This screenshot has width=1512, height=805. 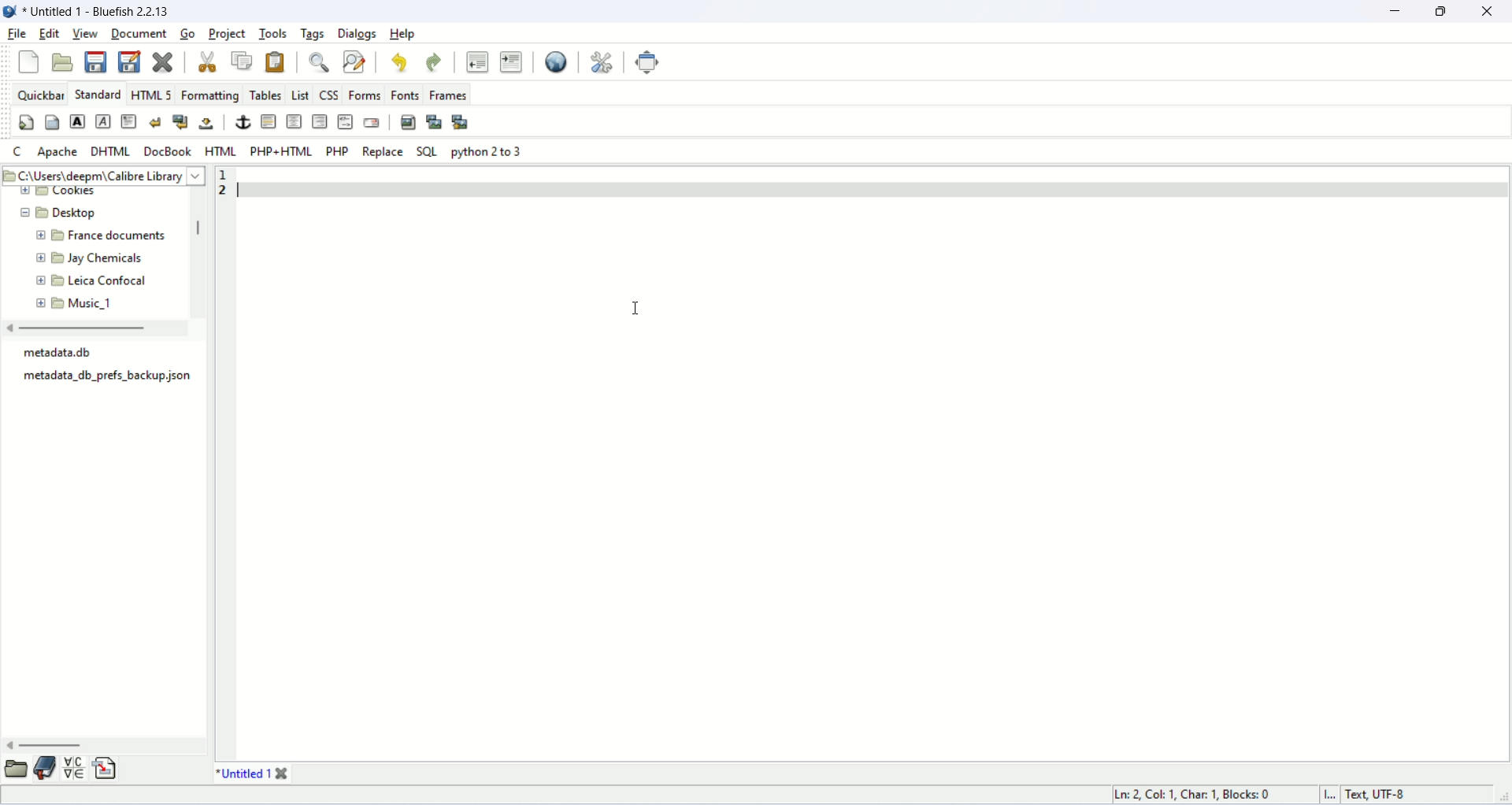 I want to click on document, so click(x=139, y=33).